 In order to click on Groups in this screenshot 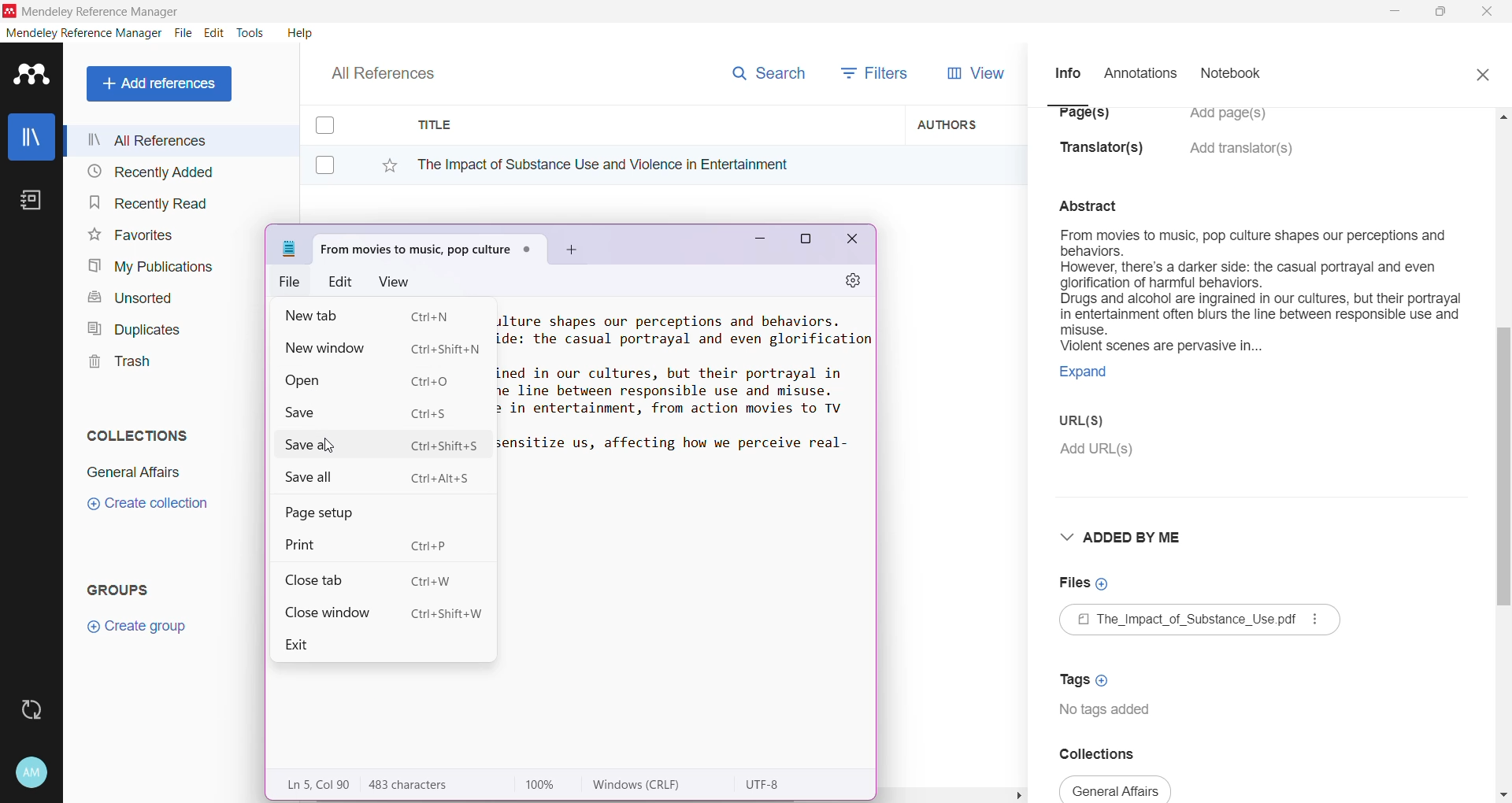, I will do `click(124, 589)`.